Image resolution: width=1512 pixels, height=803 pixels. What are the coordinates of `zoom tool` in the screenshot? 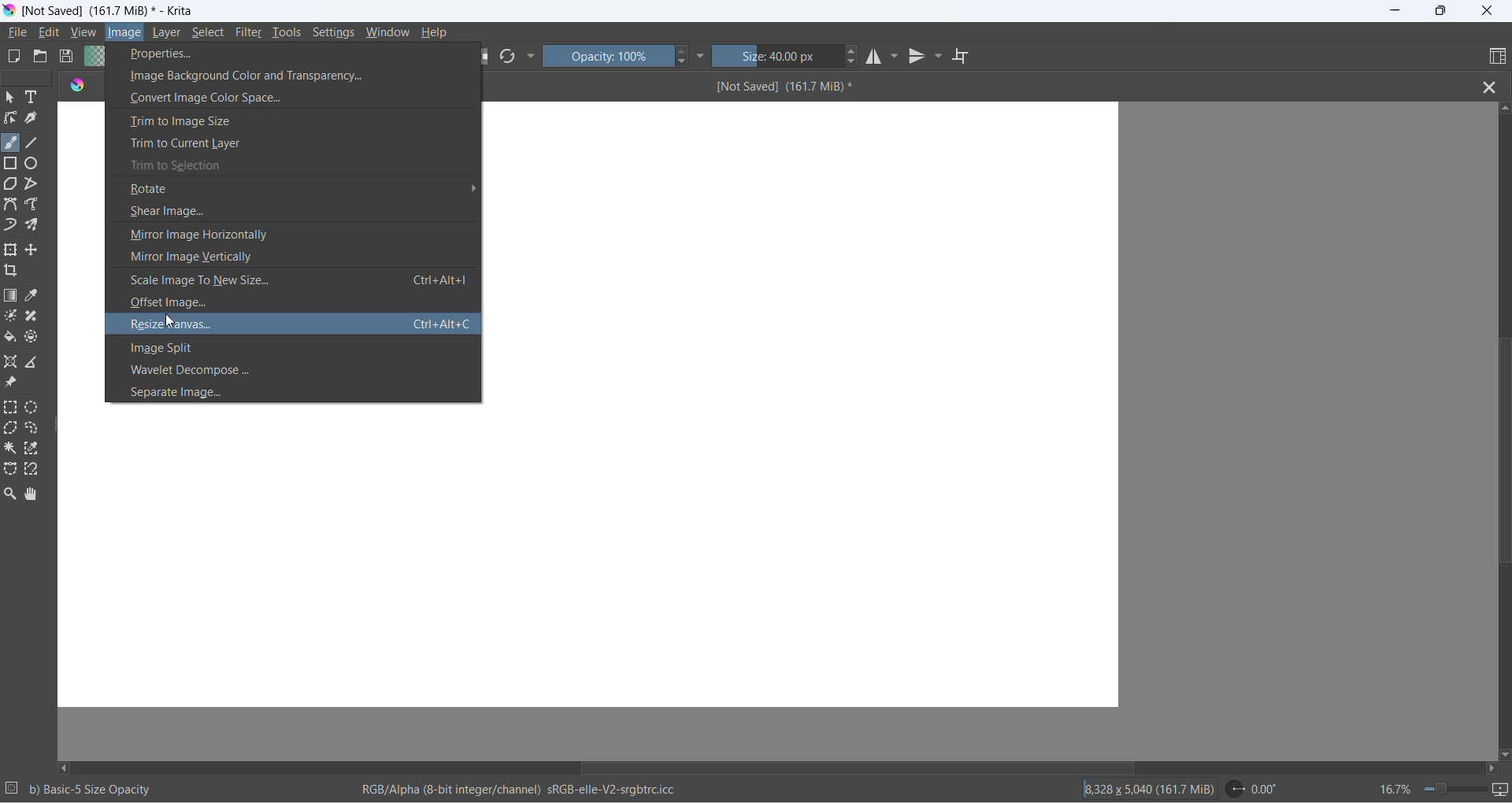 It's located at (13, 494).